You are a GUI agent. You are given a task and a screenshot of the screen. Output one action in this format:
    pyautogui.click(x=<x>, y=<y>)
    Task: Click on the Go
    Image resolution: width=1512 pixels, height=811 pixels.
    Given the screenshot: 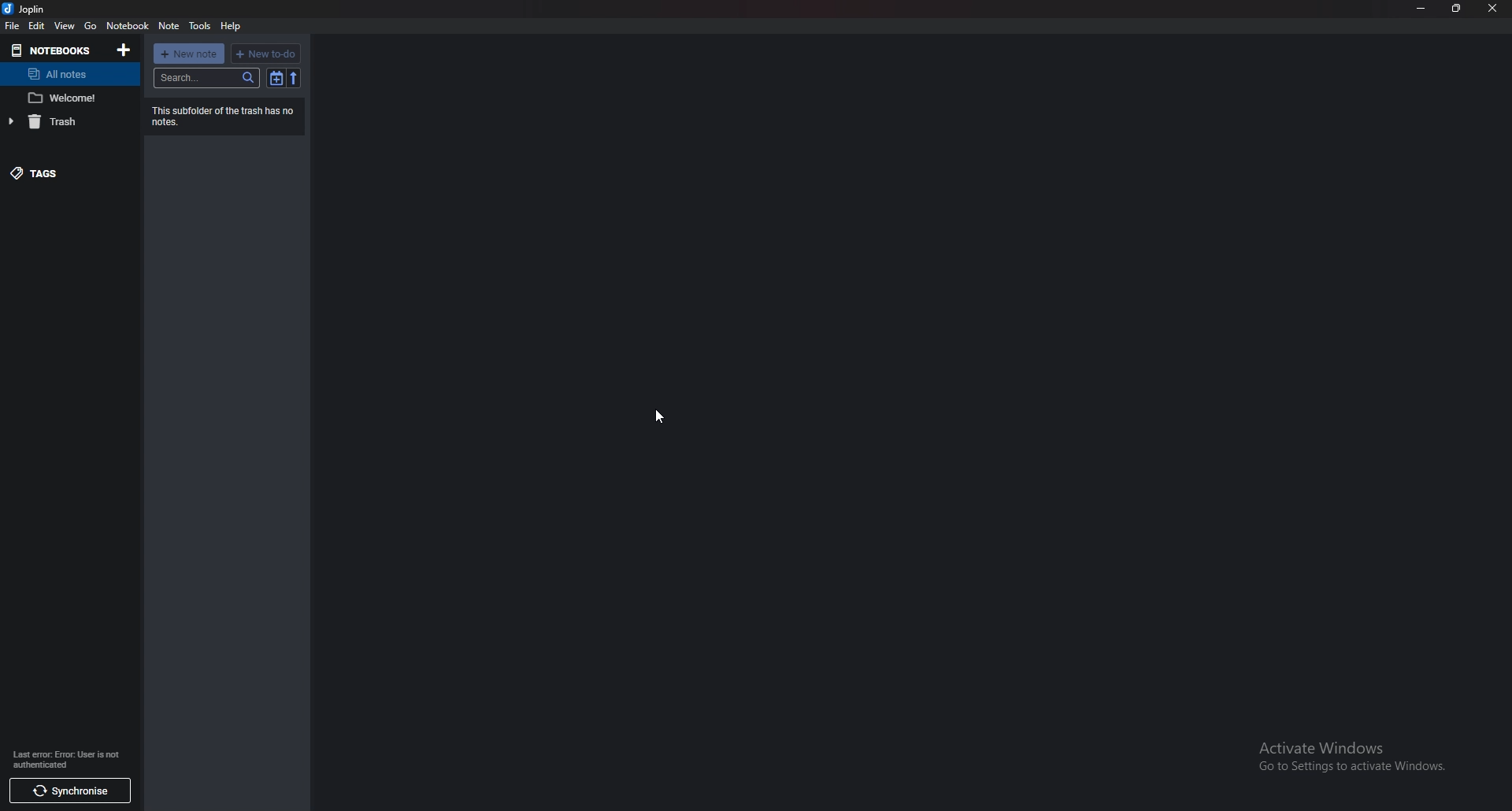 What is the action you would take?
    pyautogui.click(x=89, y=27)
    